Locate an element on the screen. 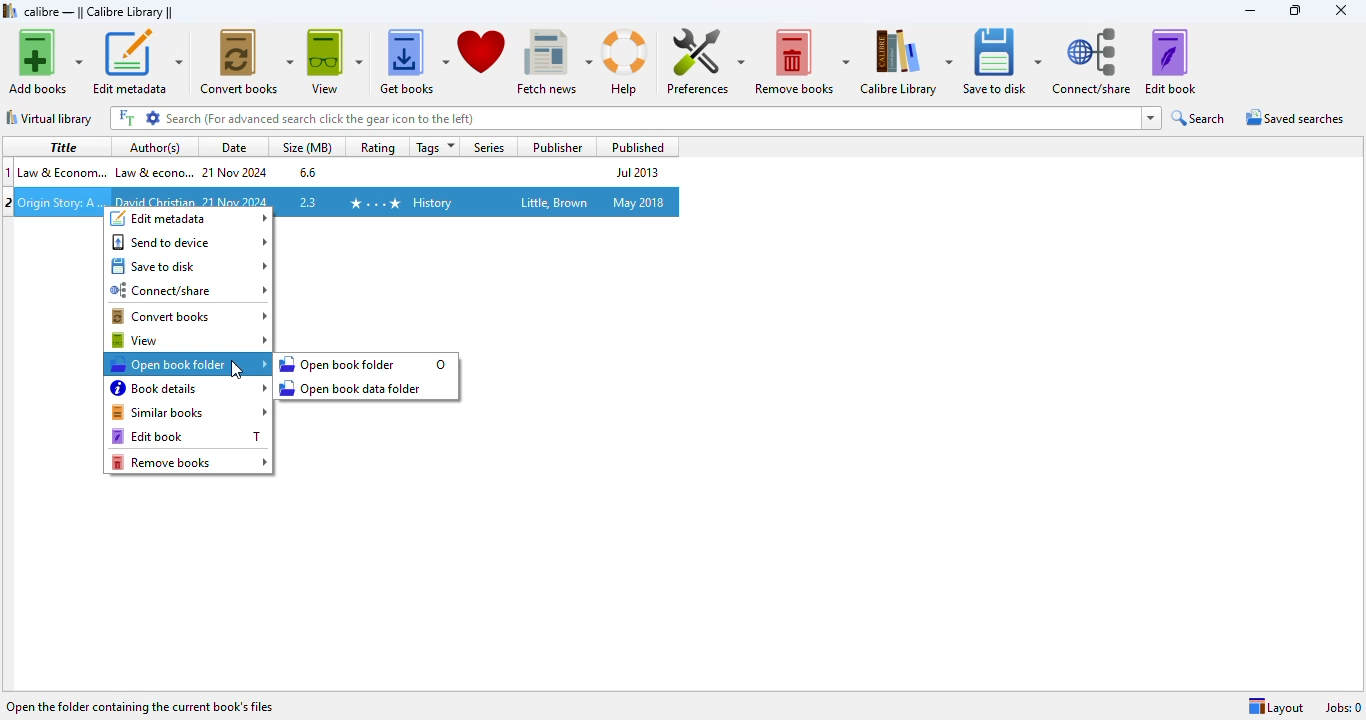 This screenshot has height=720, width=1366. book details is located at coordinates (190, 388).